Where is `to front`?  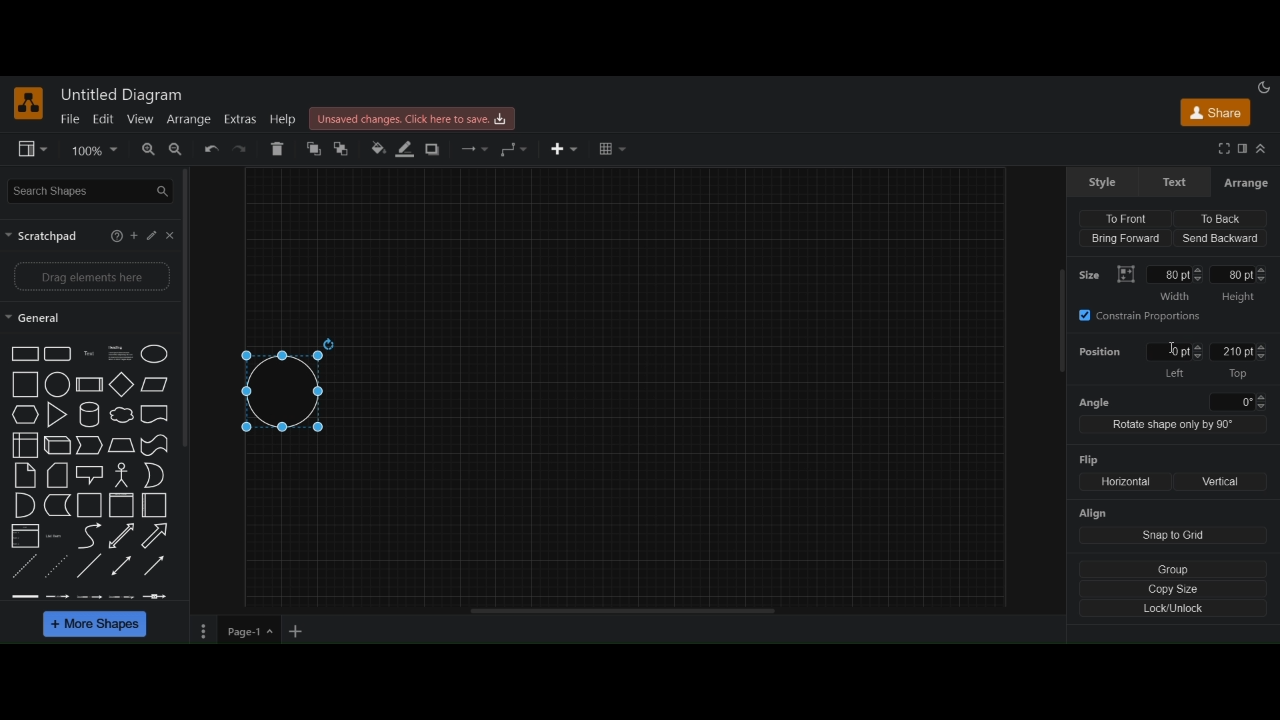
to front is located at coordinates (1131, 216).